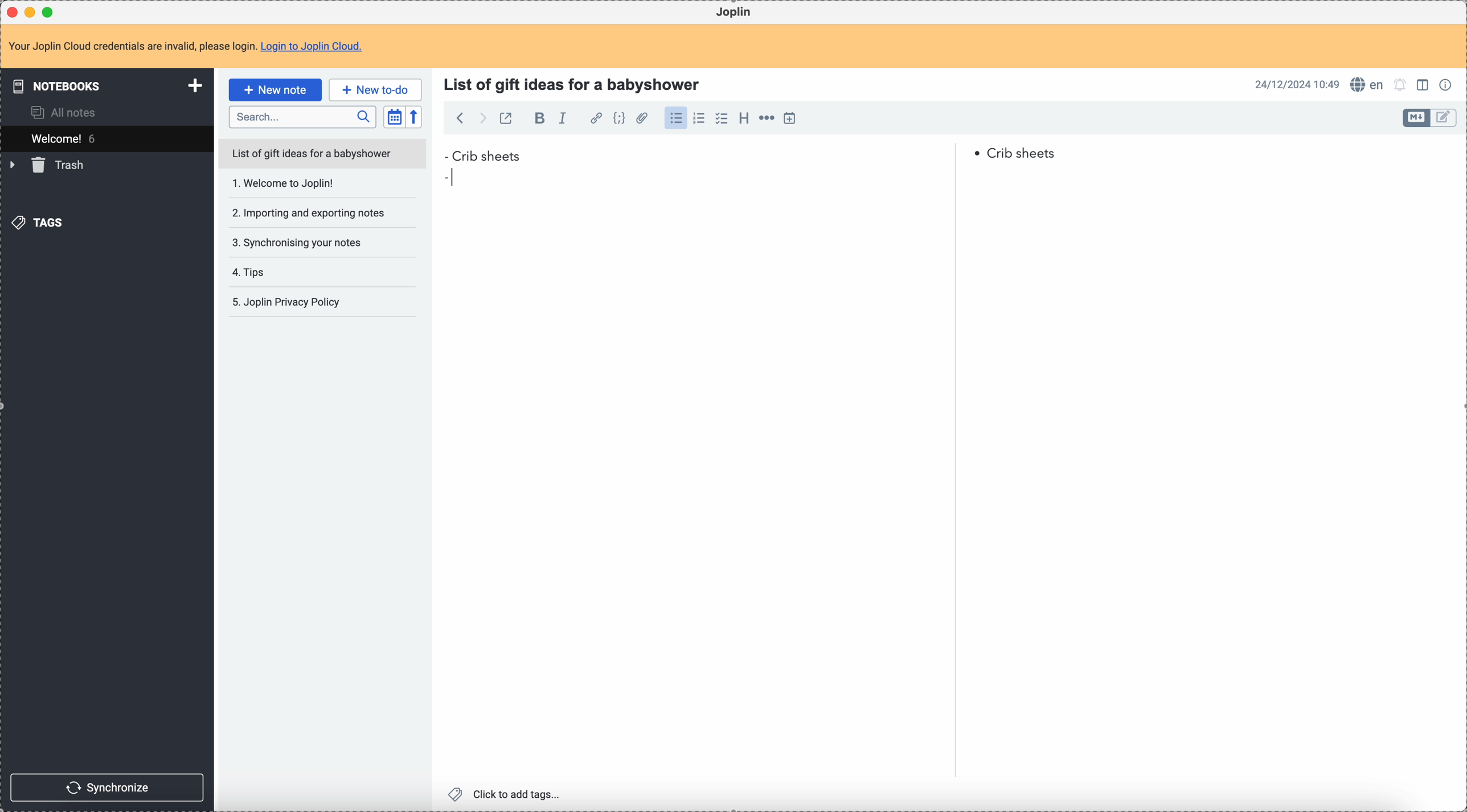 This screenshot has width=1467, height=812. Describe the element at coordinates (50, 166) in the screenshot. I see `trash` at that location.